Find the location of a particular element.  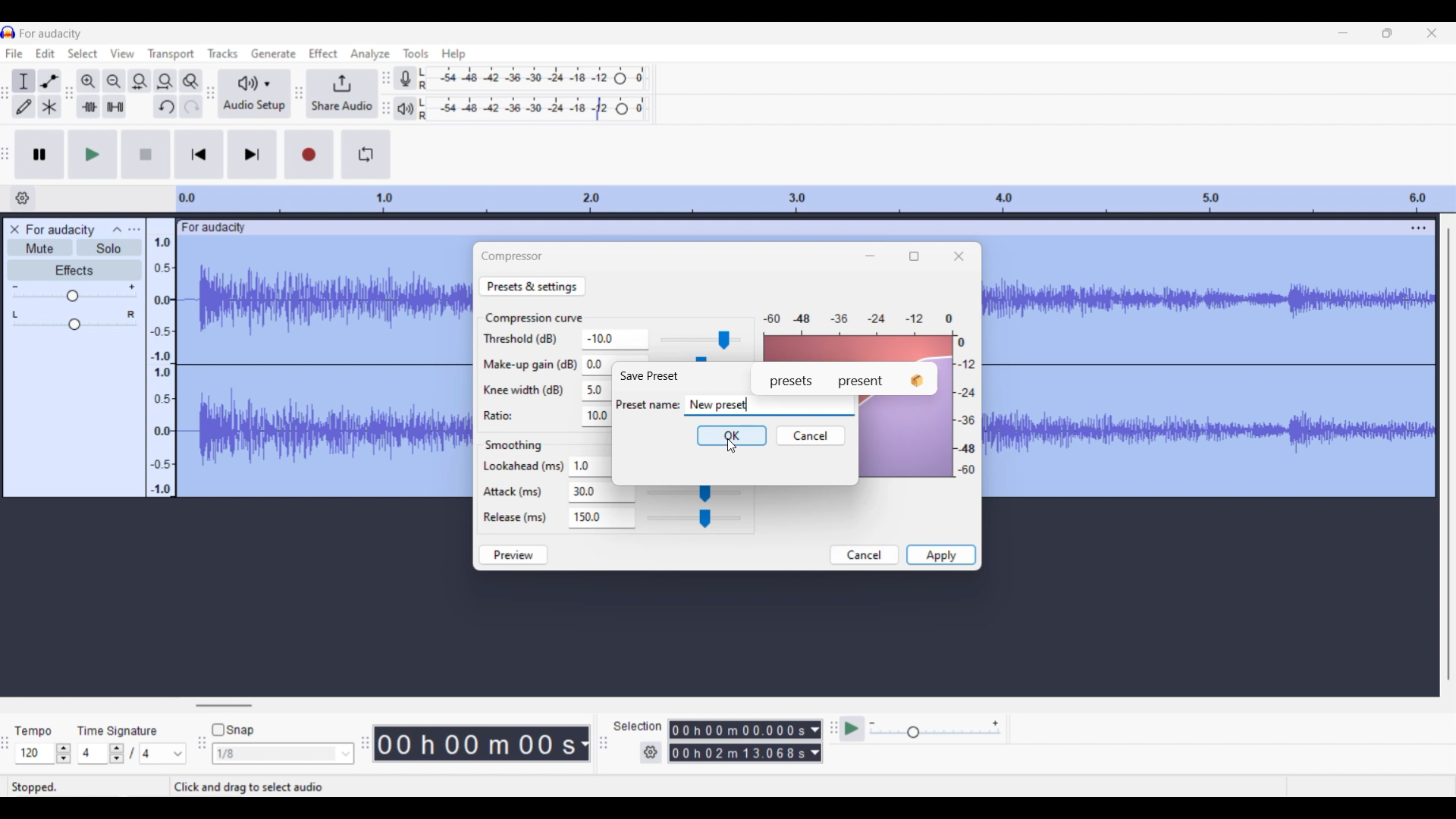

Share audio is located at coordinates (341, 94).